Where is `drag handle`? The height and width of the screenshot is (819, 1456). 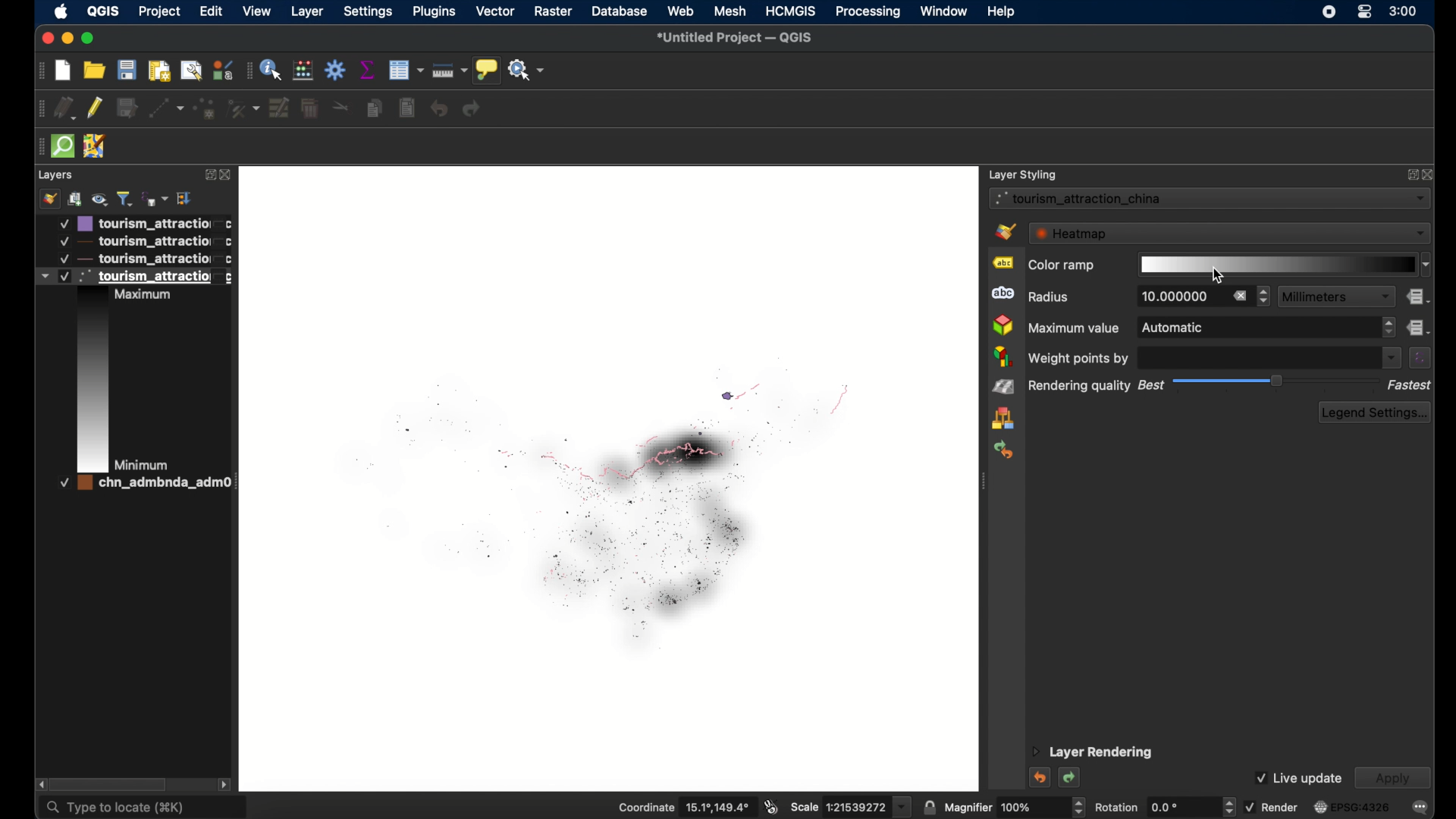 drag handle is located at coordinates (36, 146).